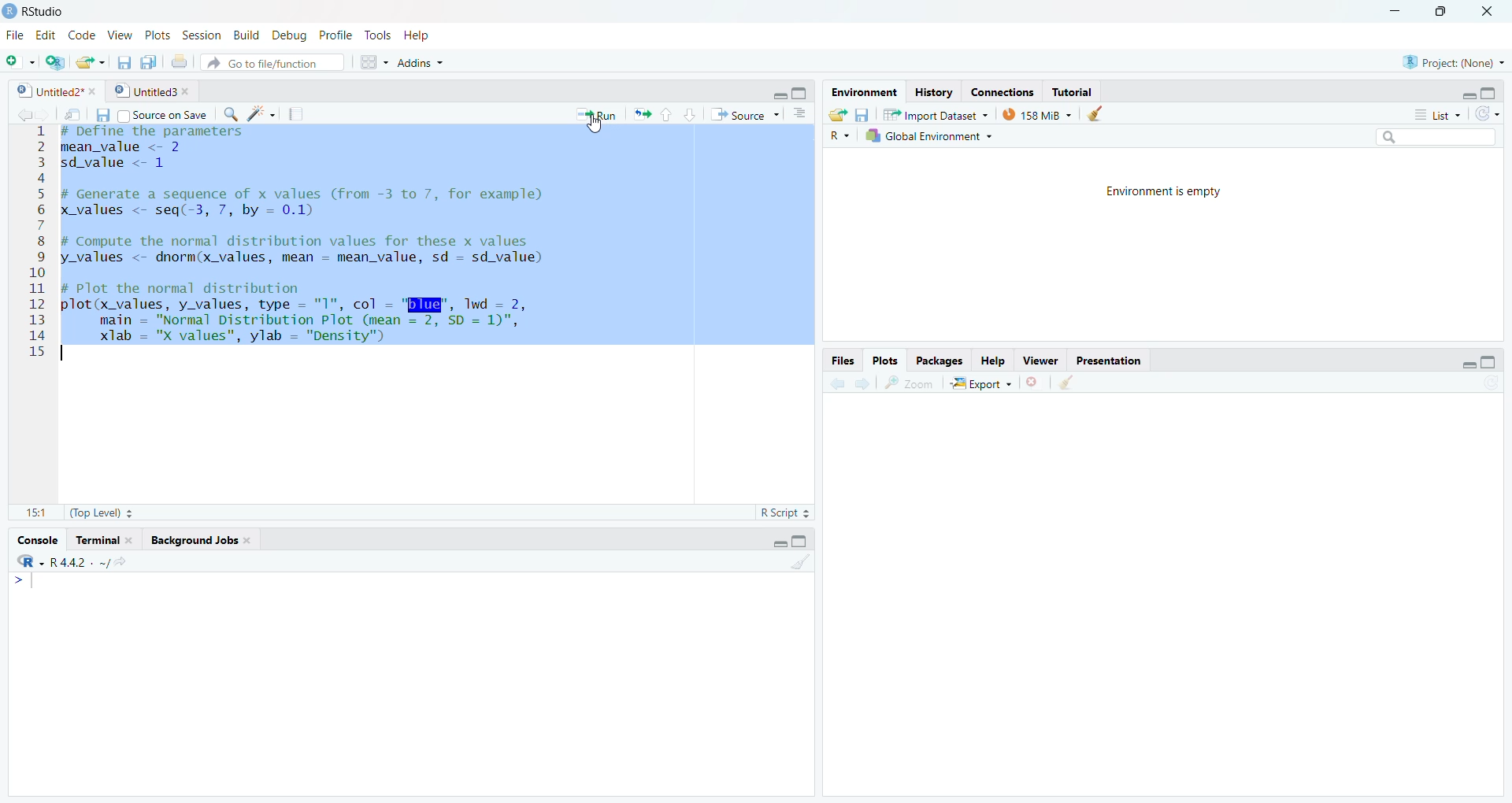 The height and width of the screenshot is (803, 1512). What do you see at coordinates (1074, 91) in the screenshot?
I see `Tutorial` at bounding box center [1074, 91].